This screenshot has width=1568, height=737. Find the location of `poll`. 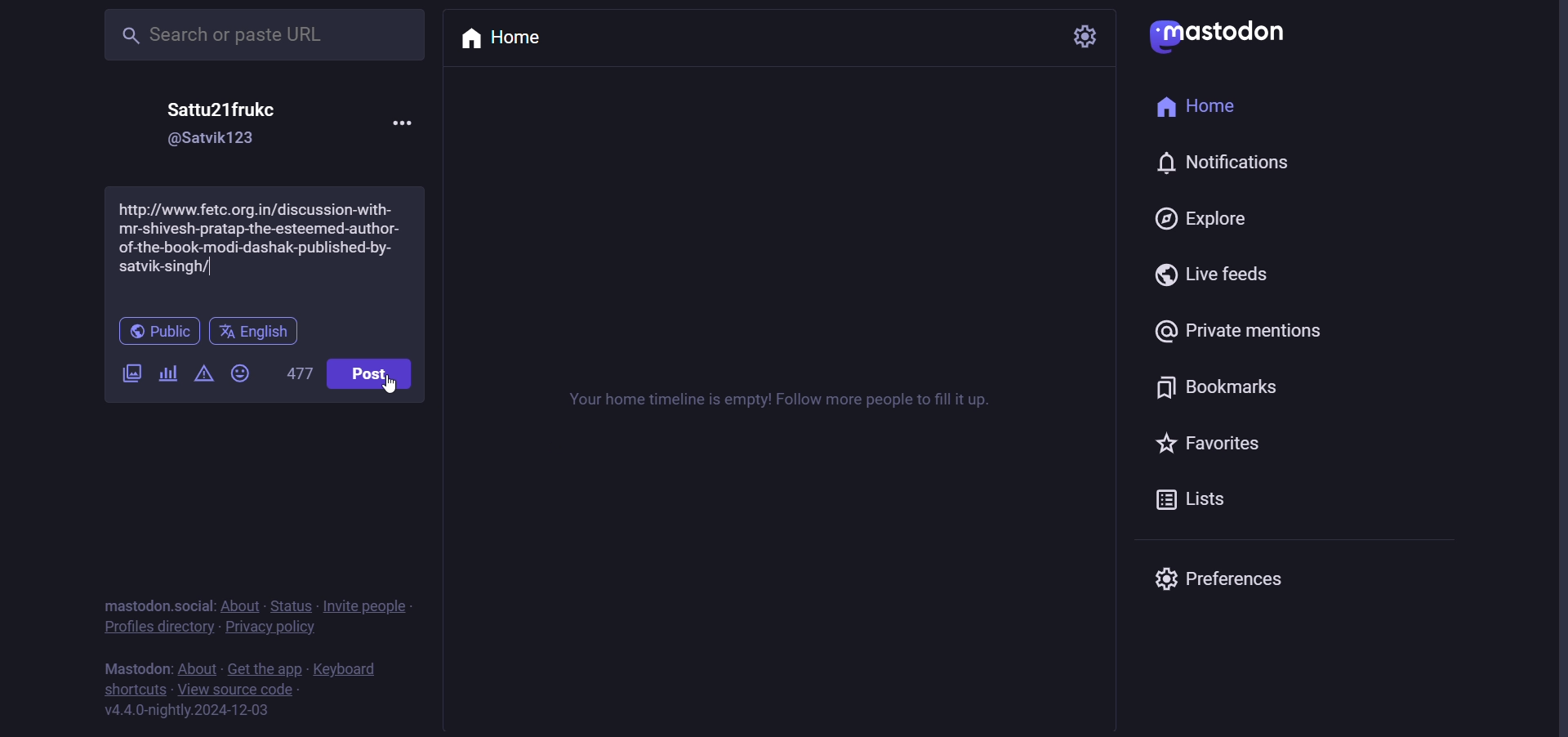

poll is located at coordinates (167, 374).